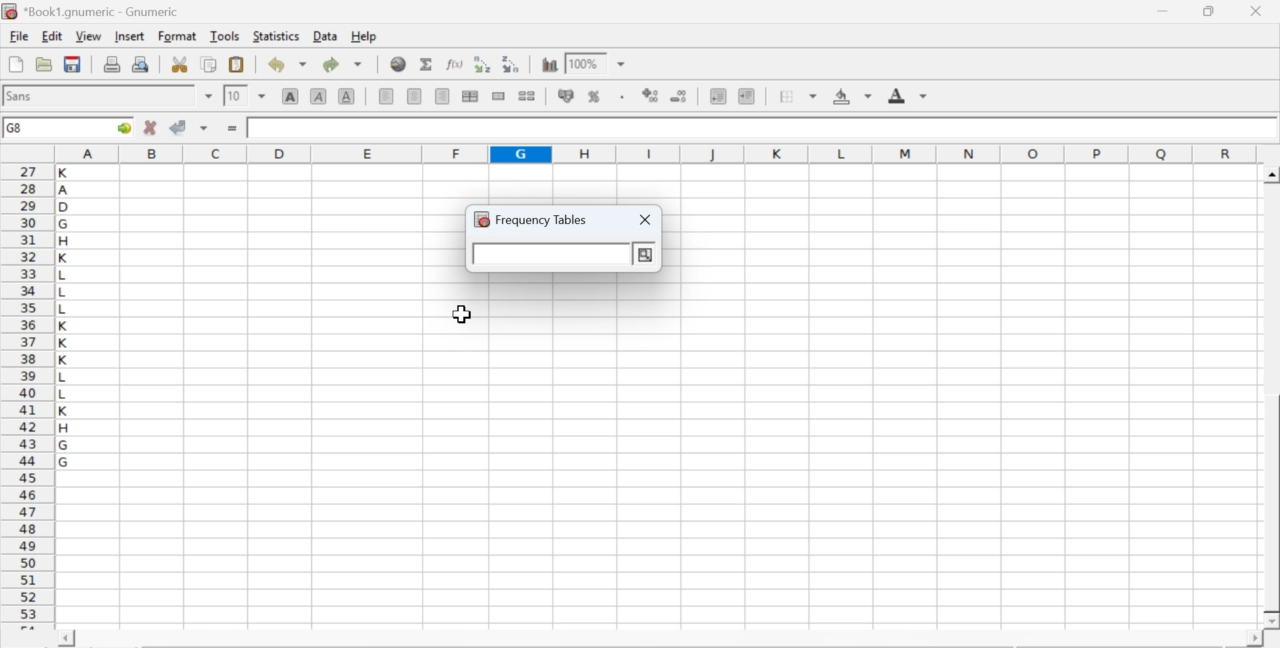 The width and height of the screenshot is (1280, 648). Describe the element at coordinates (203, 127) in the screenshot. I see `accept changes across selection` at that location.